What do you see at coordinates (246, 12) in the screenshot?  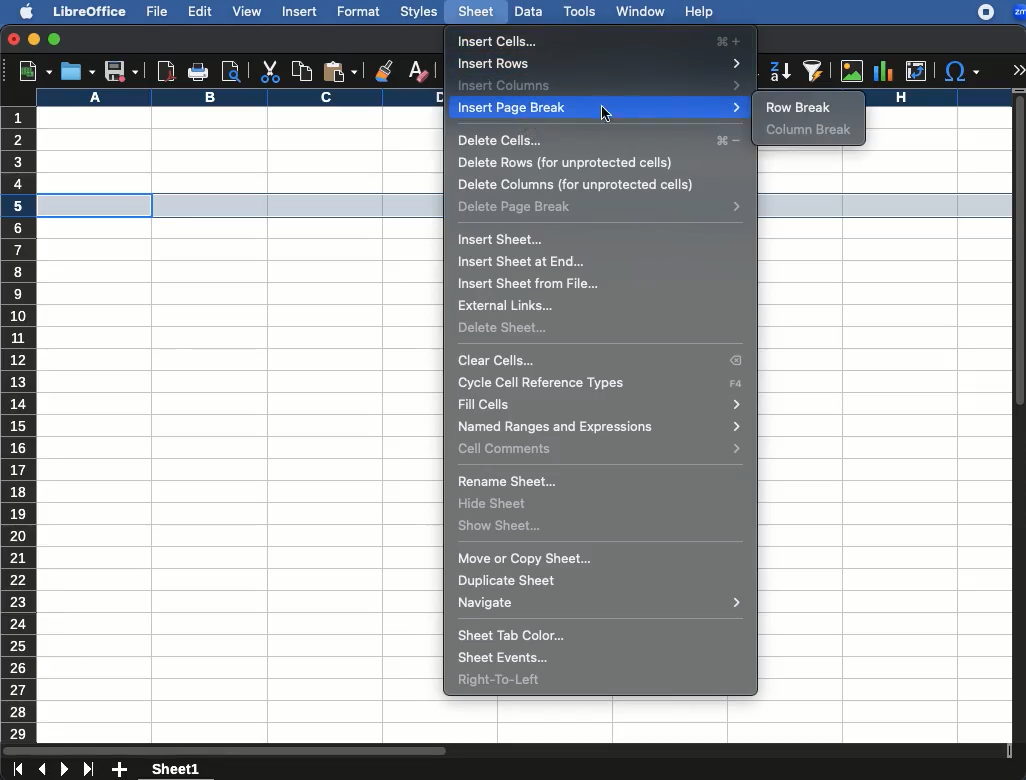 I see `view` at bounding box center [246, 12].